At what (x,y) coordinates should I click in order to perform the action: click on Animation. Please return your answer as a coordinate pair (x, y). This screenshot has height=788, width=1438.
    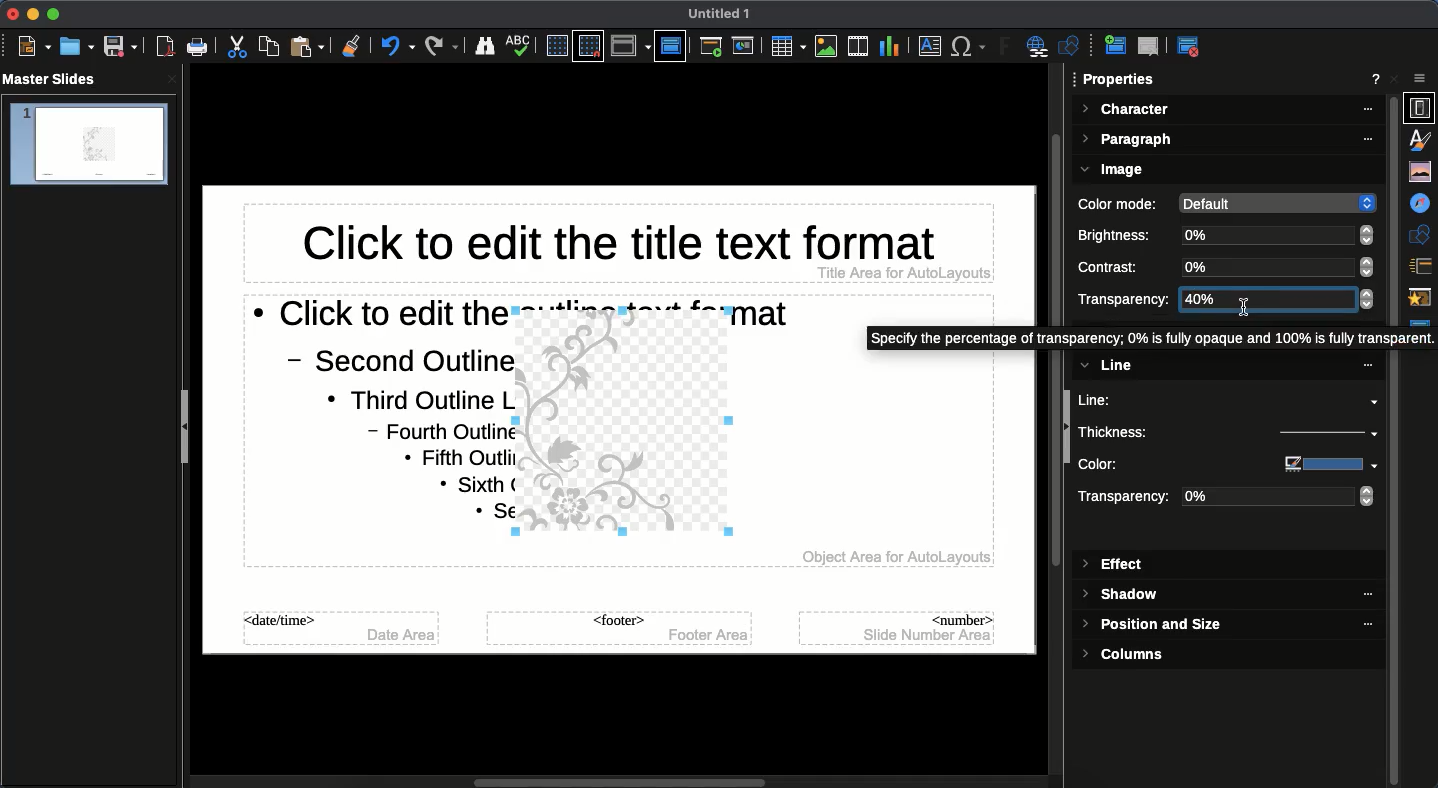
    Looking at the image, I should click on (1422, 299).